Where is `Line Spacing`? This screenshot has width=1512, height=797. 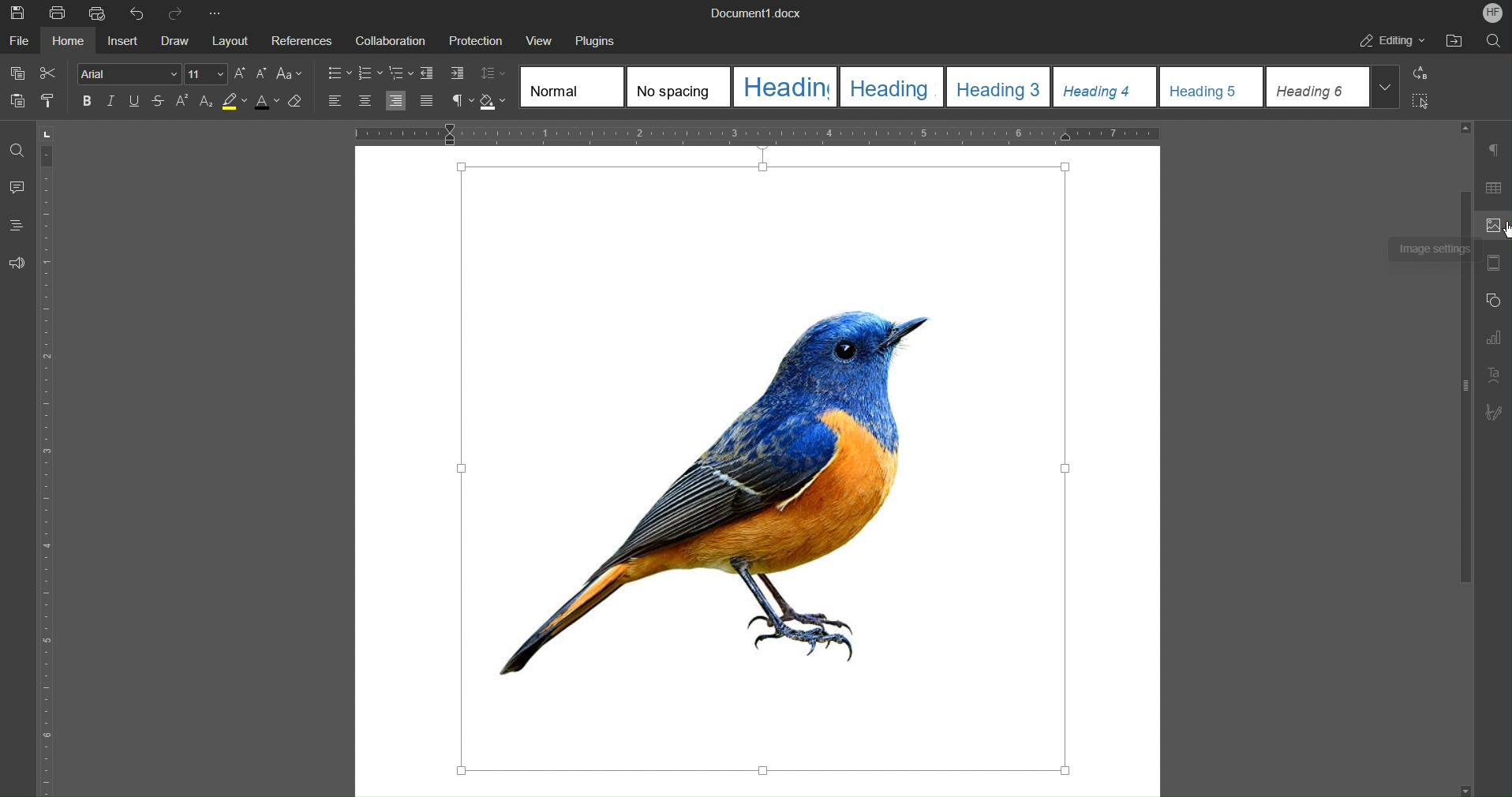 Line Spacing is located at coordinates (492, 73).